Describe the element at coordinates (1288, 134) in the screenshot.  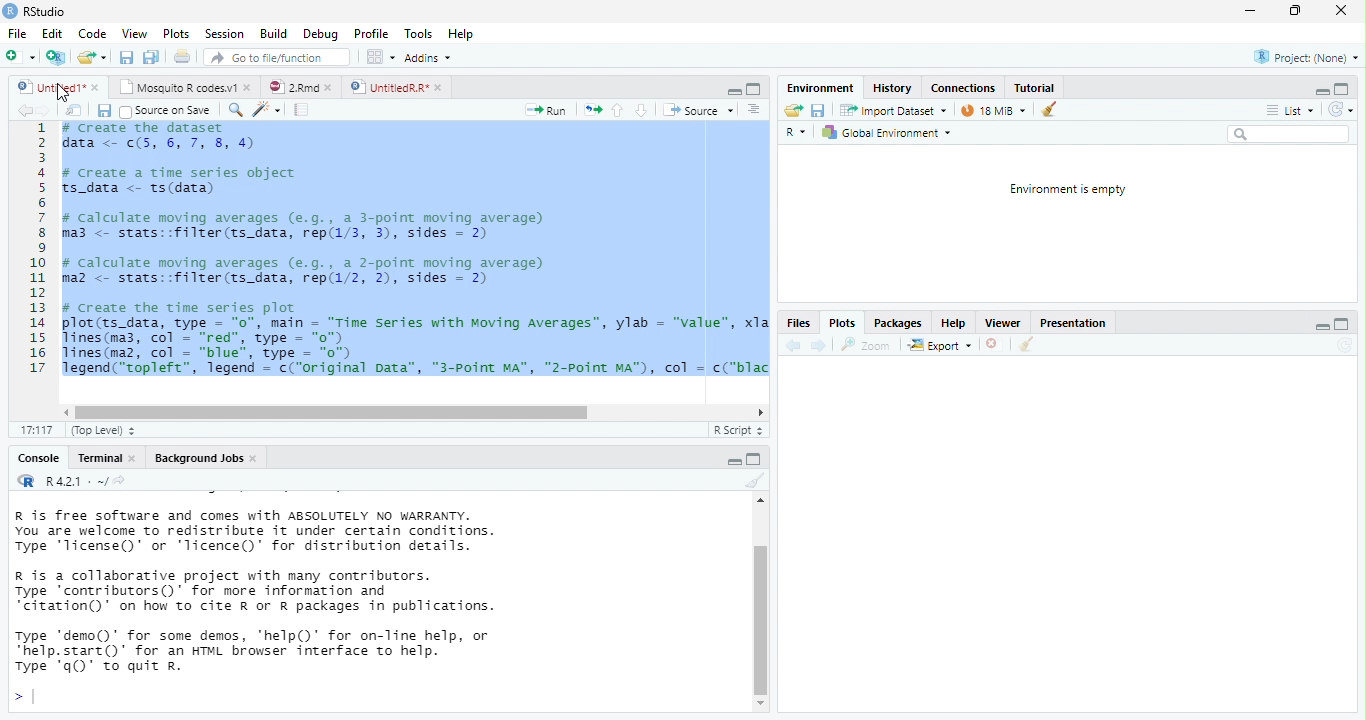
I see `search` at that location.